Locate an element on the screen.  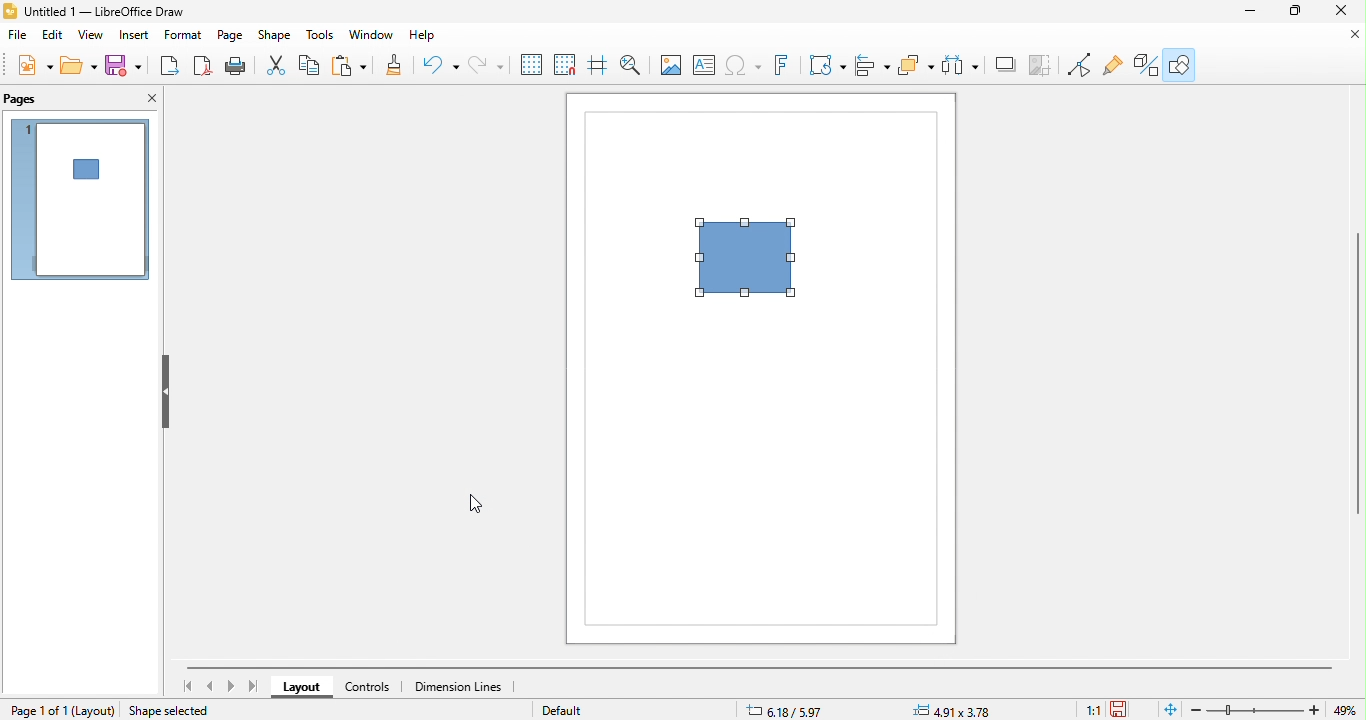
text box is located at coordinates (704, 66).